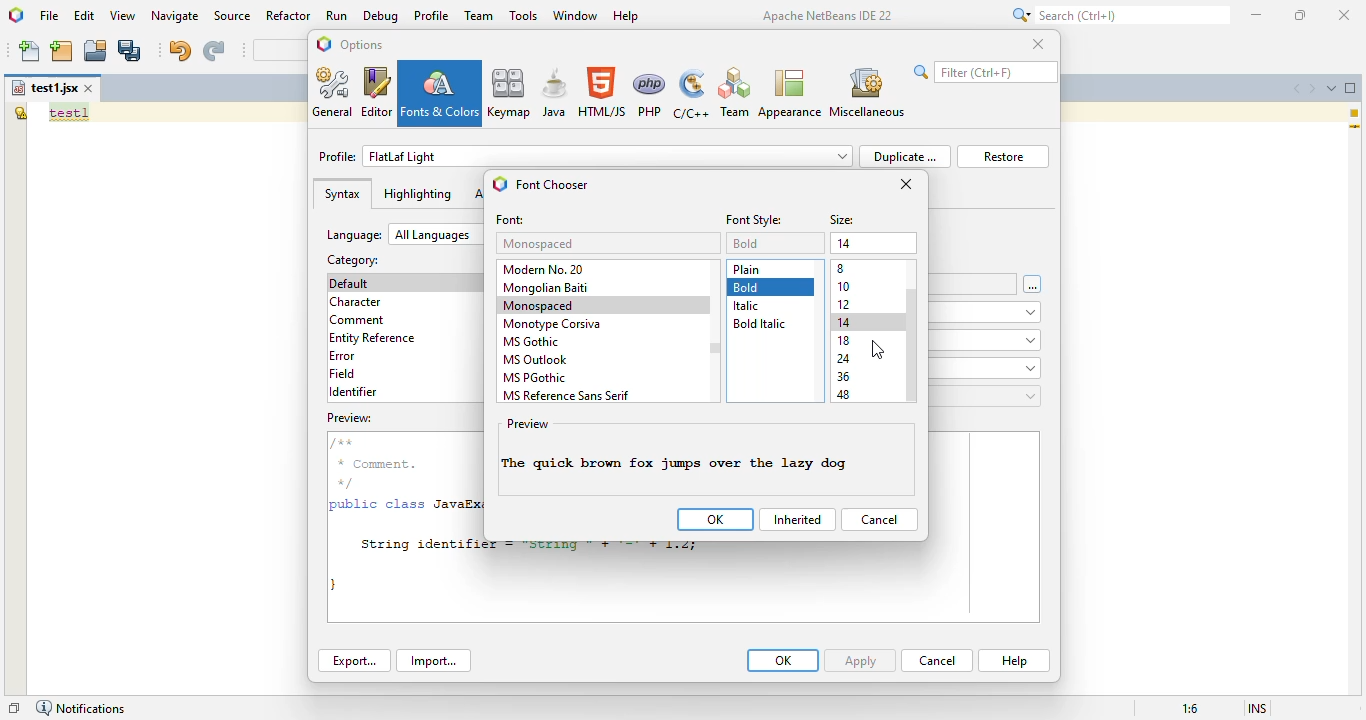 The height and width of the screenshot is (720, 1366). What do you see at coordinates (772, 287) in the screenshot?
I see `bold selected` at bounding box center [772, 287].